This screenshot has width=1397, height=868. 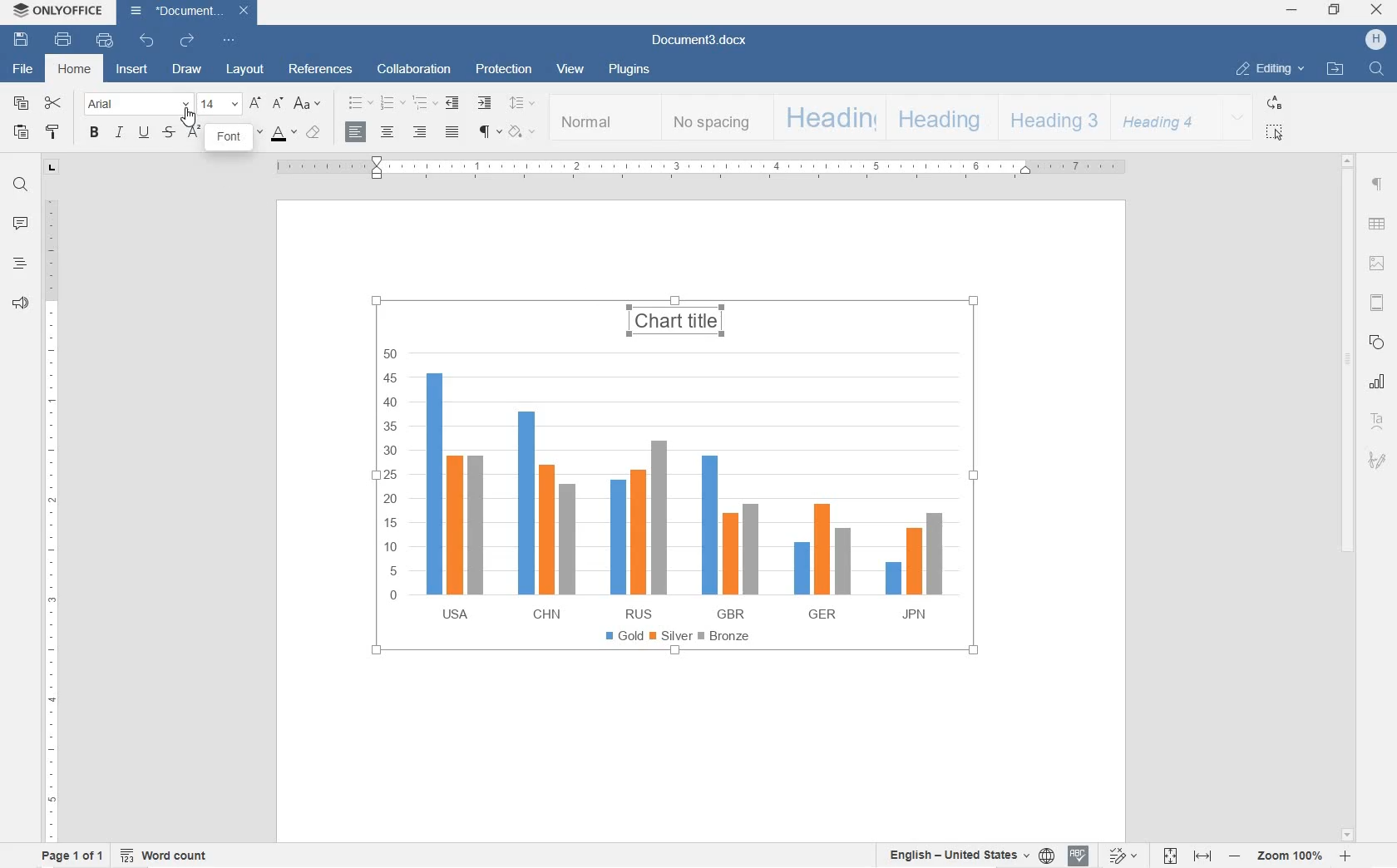 I want to click on CENTER ALIGN, so click(x=388, y=132).